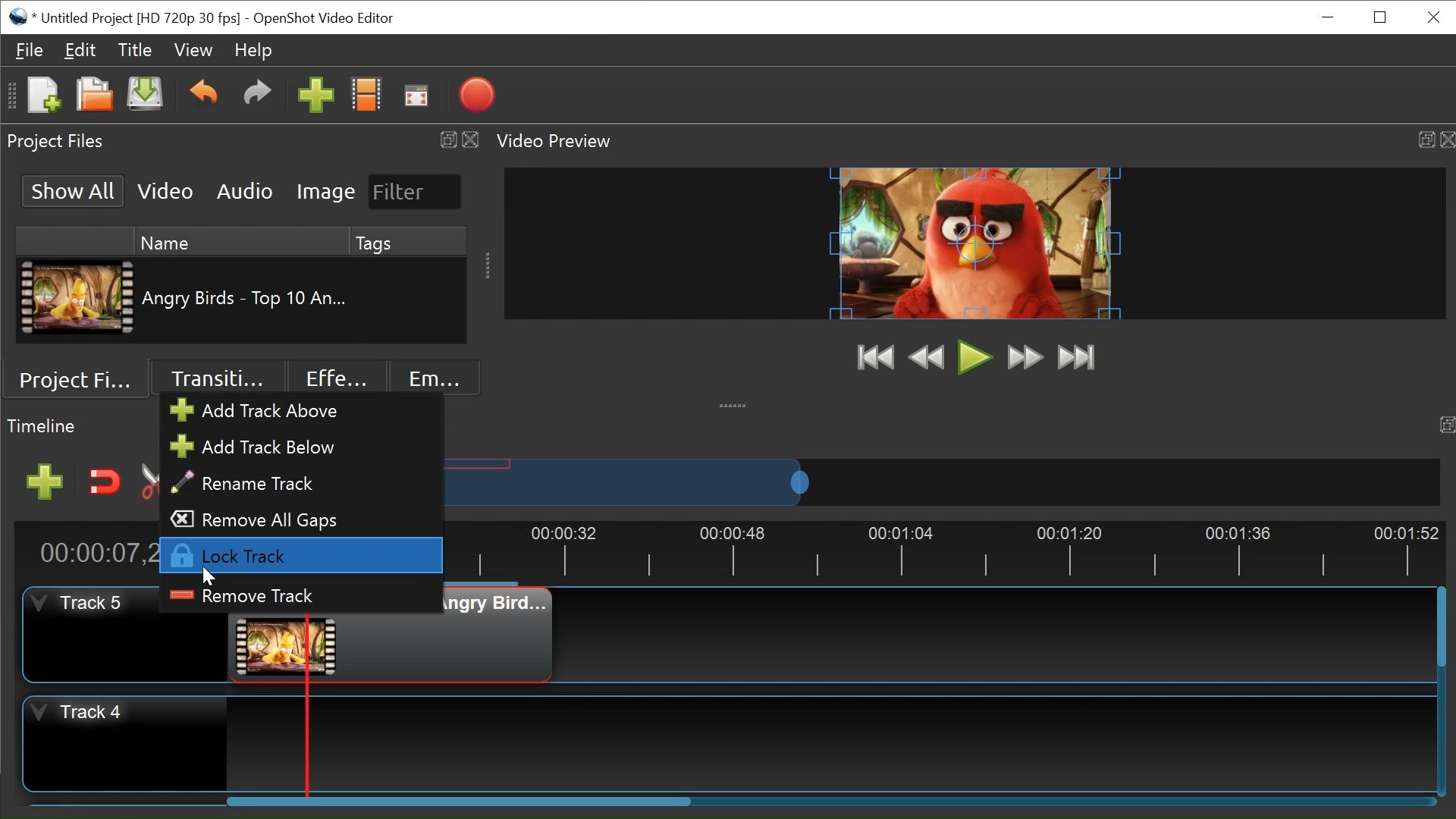 Image resolution: width=1456 pixels, height=819 pixels. Describe the element at coordinates (259, 484) in the screenshot. I see `Rename Track` at that location.